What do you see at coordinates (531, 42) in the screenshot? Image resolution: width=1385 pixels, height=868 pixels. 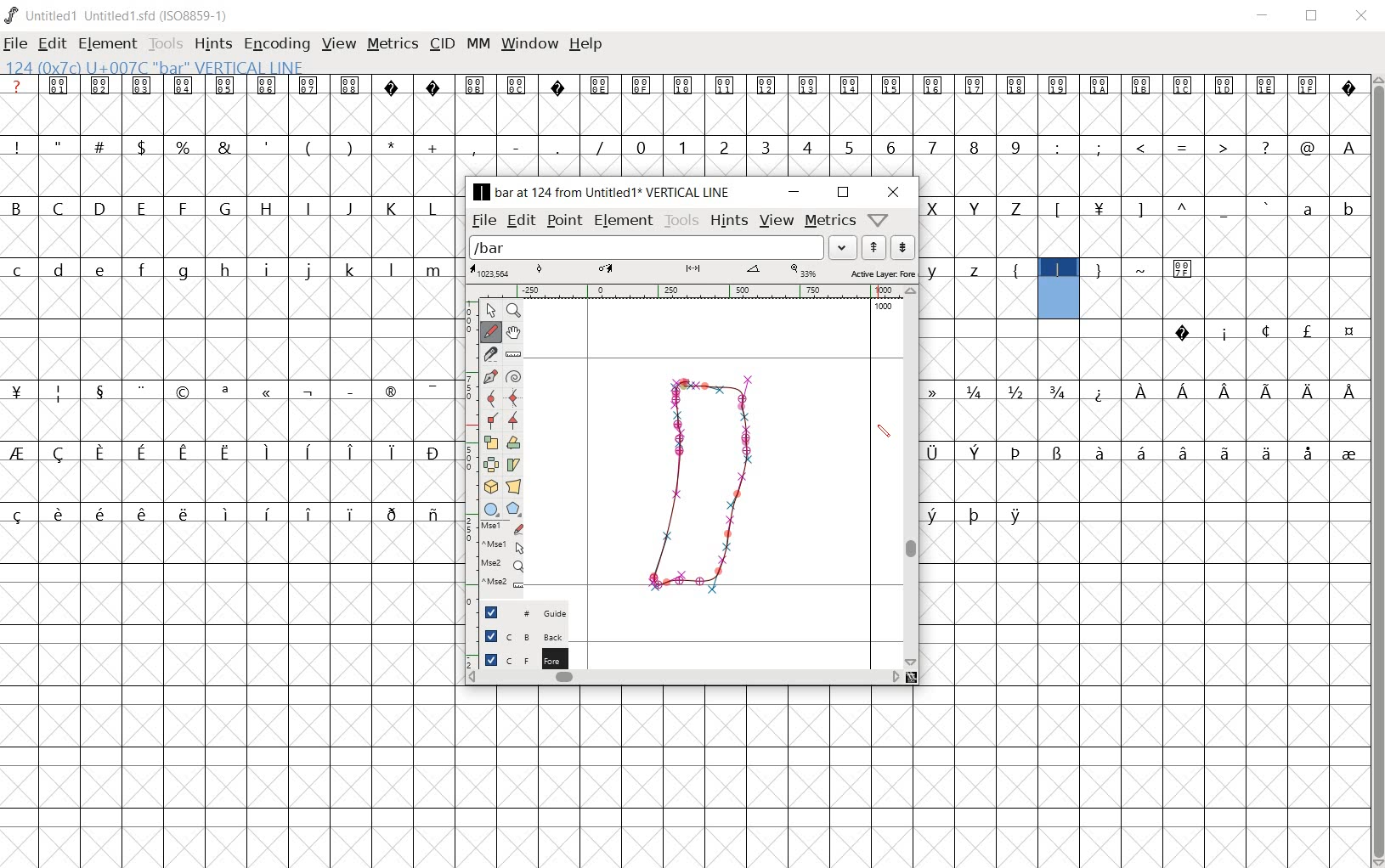 I see `window` at bounding box center [531, 42].